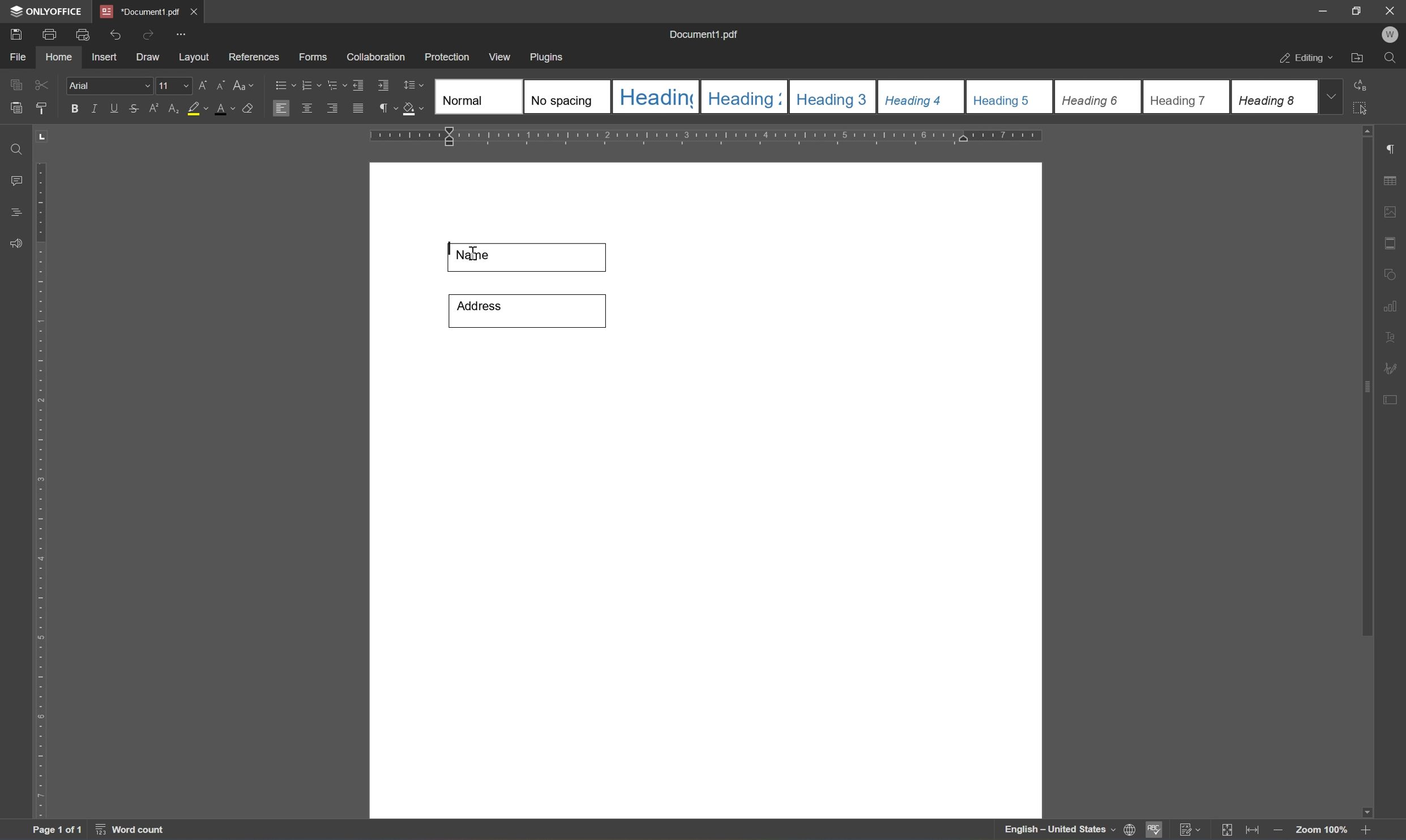  What do you see at coordinates (1393, 272) in the screenshot?
I see `shape settings` at bounding box center [1393, 272].